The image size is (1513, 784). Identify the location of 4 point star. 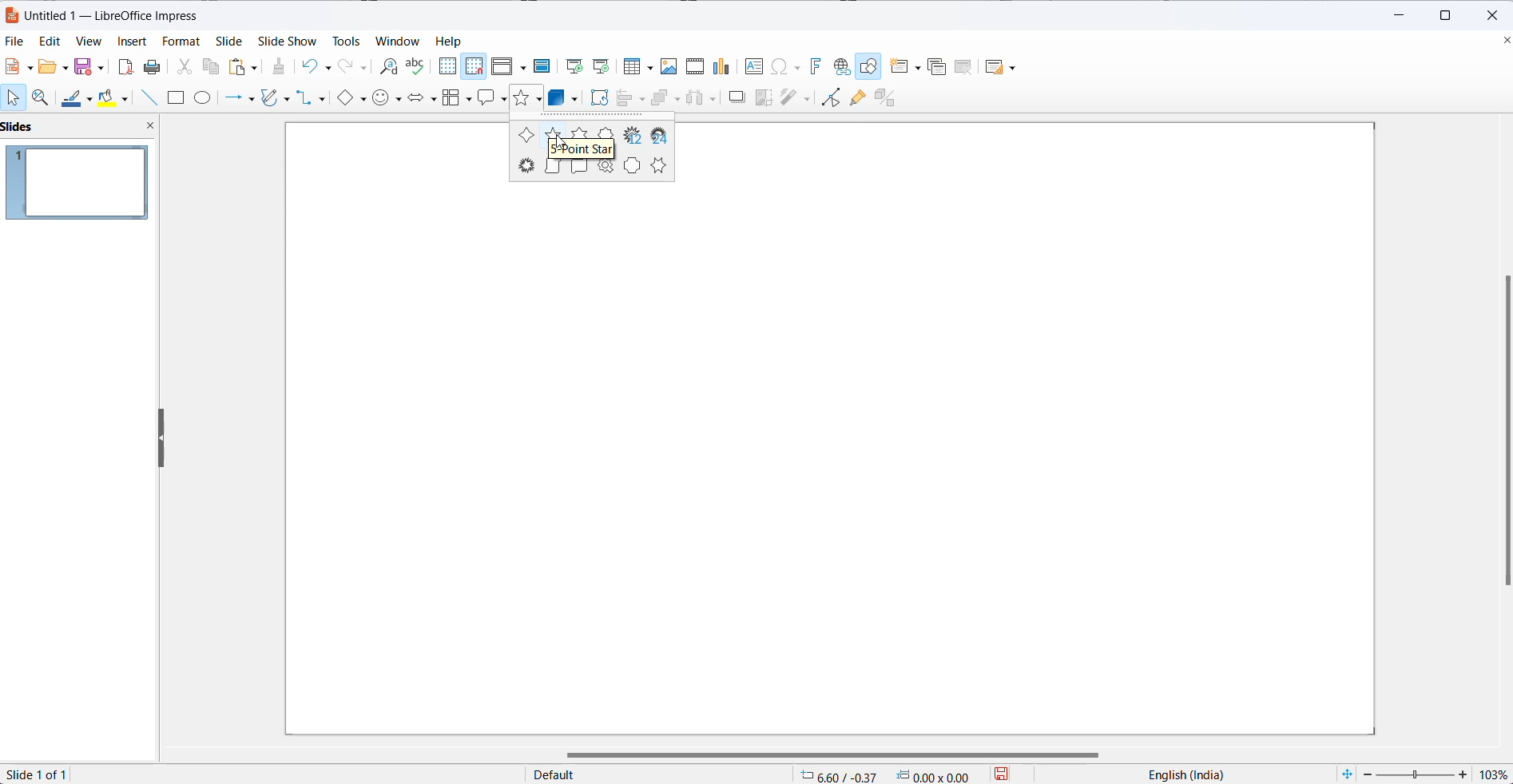
(526, 137).